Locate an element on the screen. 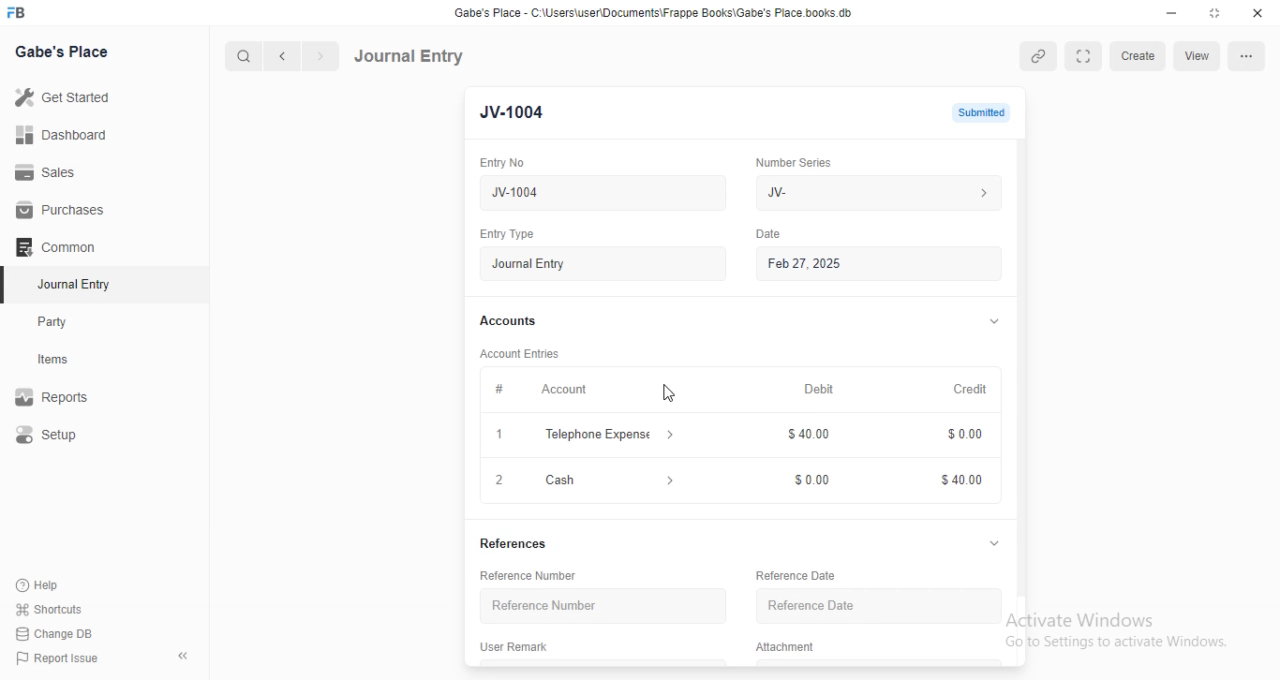 The image size is (1280, 680). References is located at coordinates (519, 545).